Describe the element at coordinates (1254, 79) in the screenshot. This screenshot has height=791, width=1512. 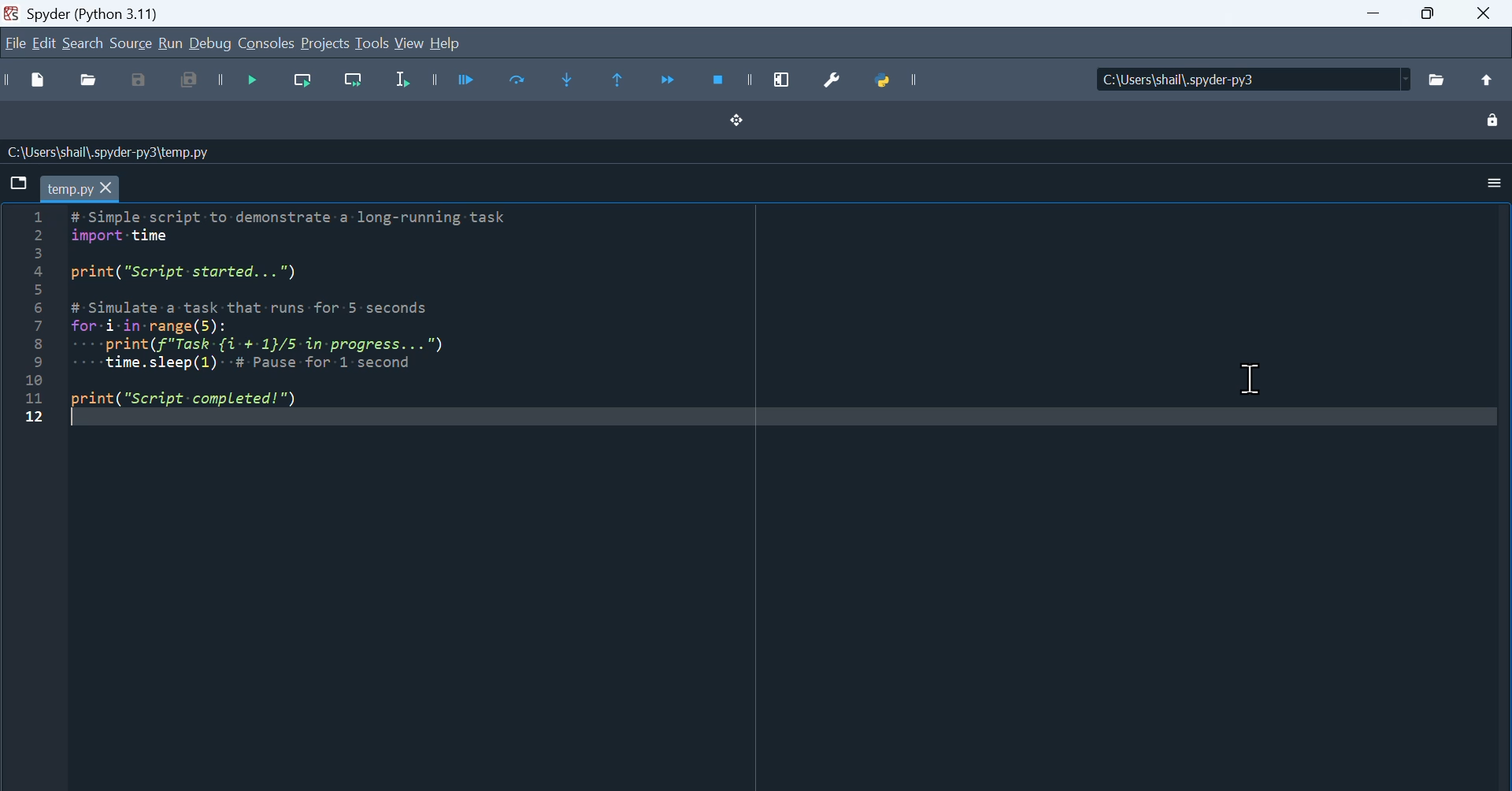
I see `Locations of the file` at that location.